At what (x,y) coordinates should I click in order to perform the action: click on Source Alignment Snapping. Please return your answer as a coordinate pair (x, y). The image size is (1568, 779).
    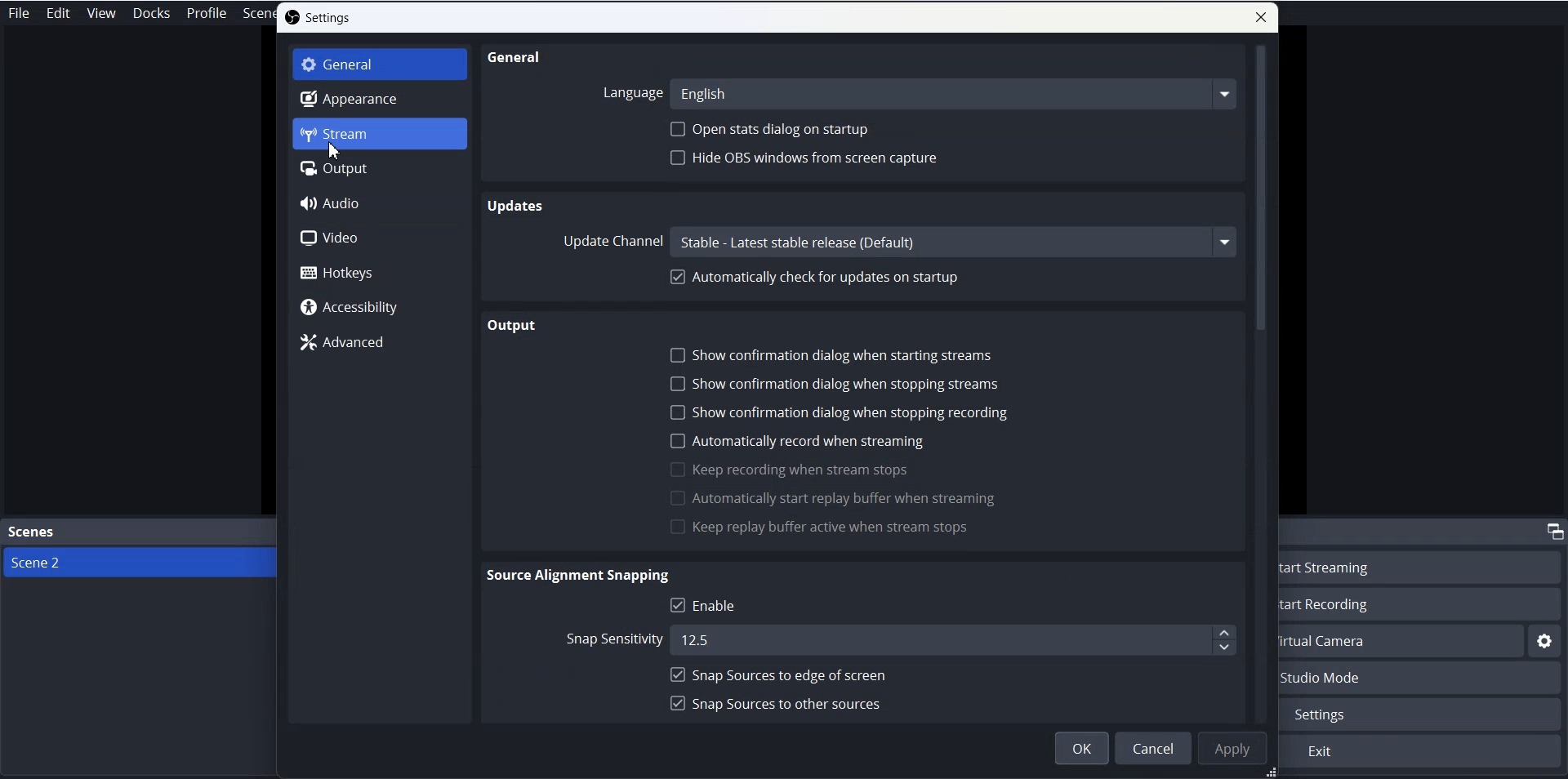
    Looking at the image, I should click on (581, 576).